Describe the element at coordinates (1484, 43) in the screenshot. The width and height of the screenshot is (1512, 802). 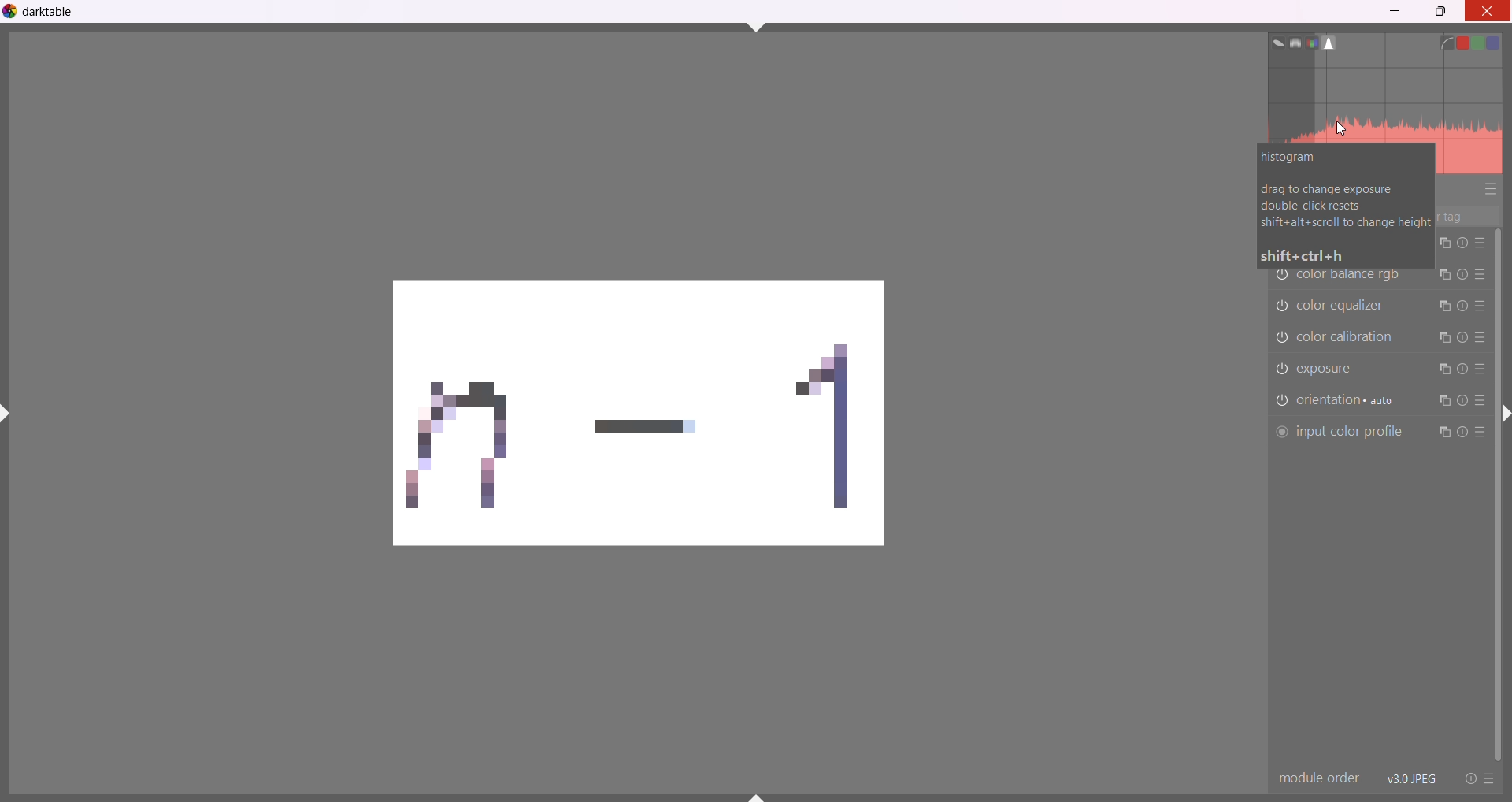
I see `green` at that location.